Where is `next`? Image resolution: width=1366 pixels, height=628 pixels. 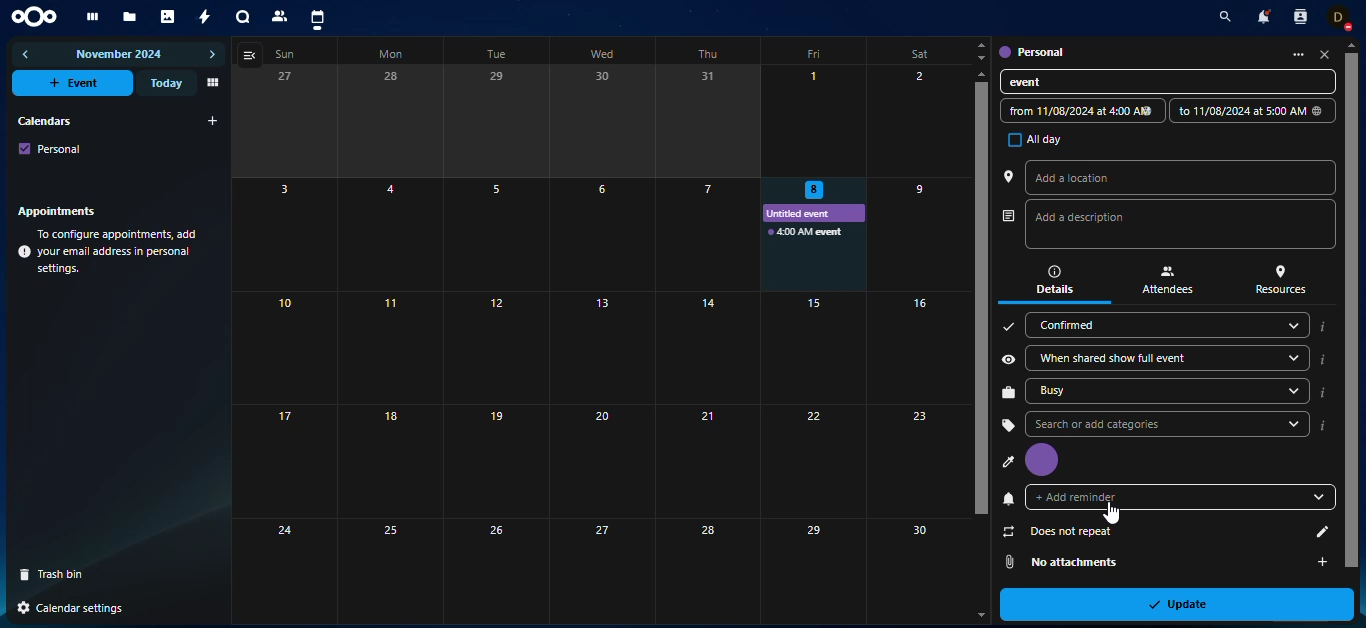 next is located at coordinates (212, 55).